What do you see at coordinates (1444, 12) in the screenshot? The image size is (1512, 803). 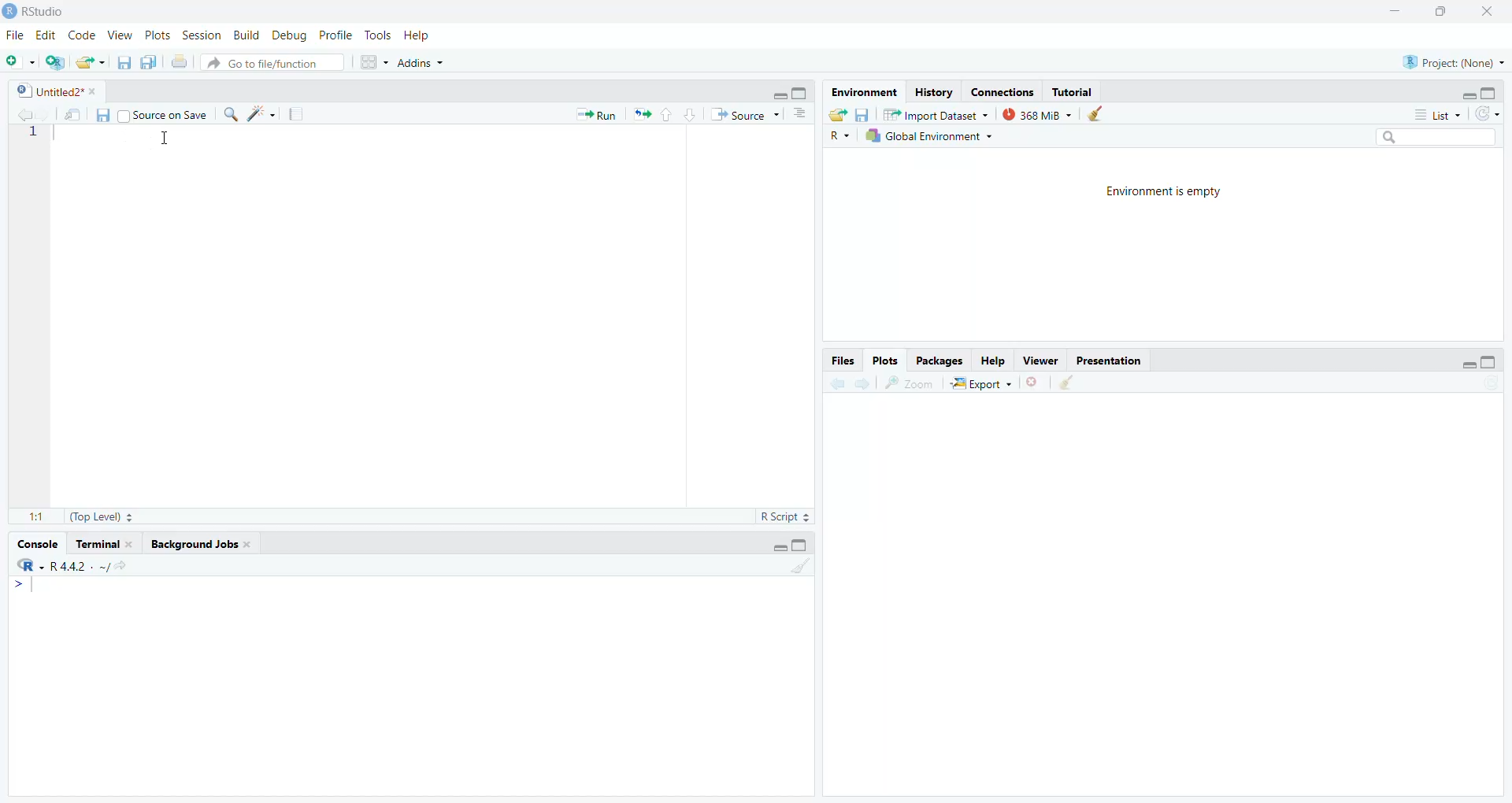 I see `maximise` at bounding box center [1444, 12].